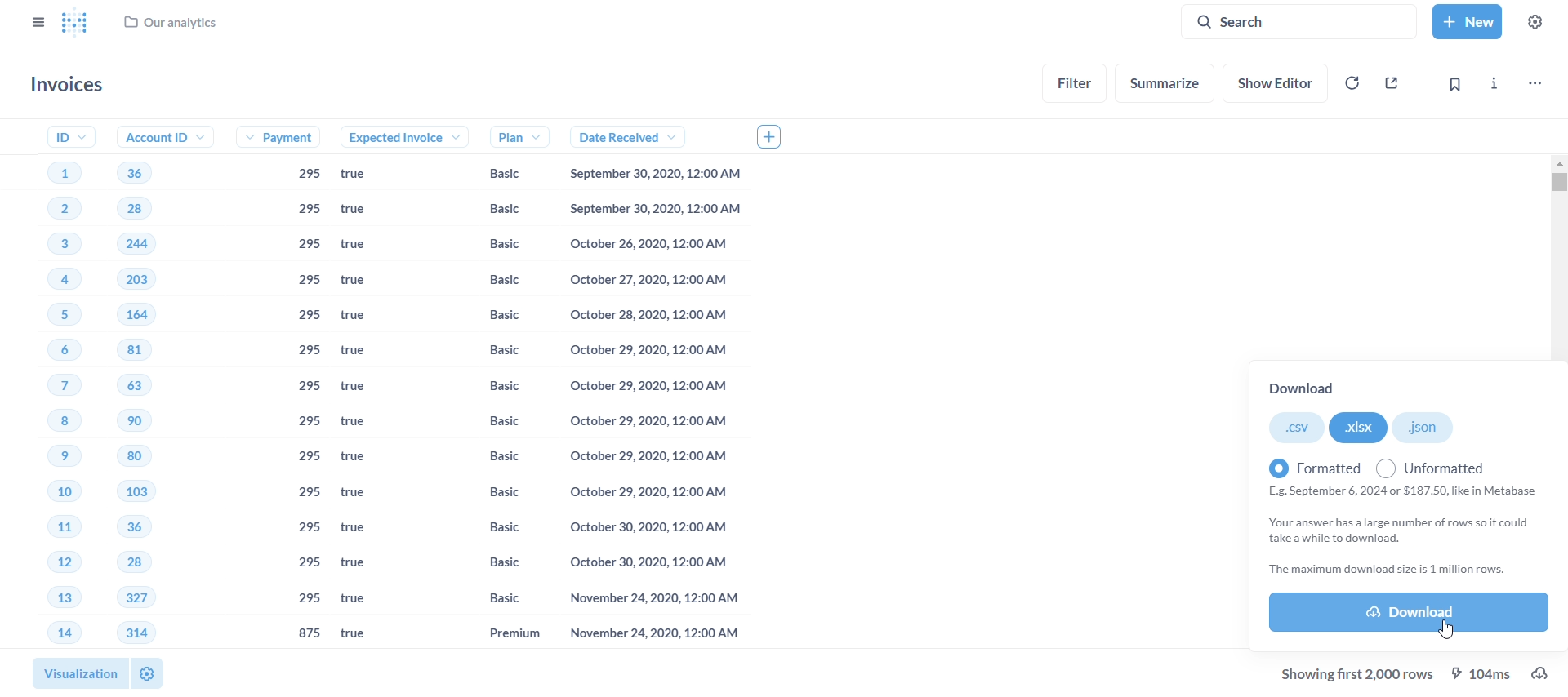 Image resolution: width=1568 pixels, height=697 pixels. I want to click on download, so click(1409, 614).